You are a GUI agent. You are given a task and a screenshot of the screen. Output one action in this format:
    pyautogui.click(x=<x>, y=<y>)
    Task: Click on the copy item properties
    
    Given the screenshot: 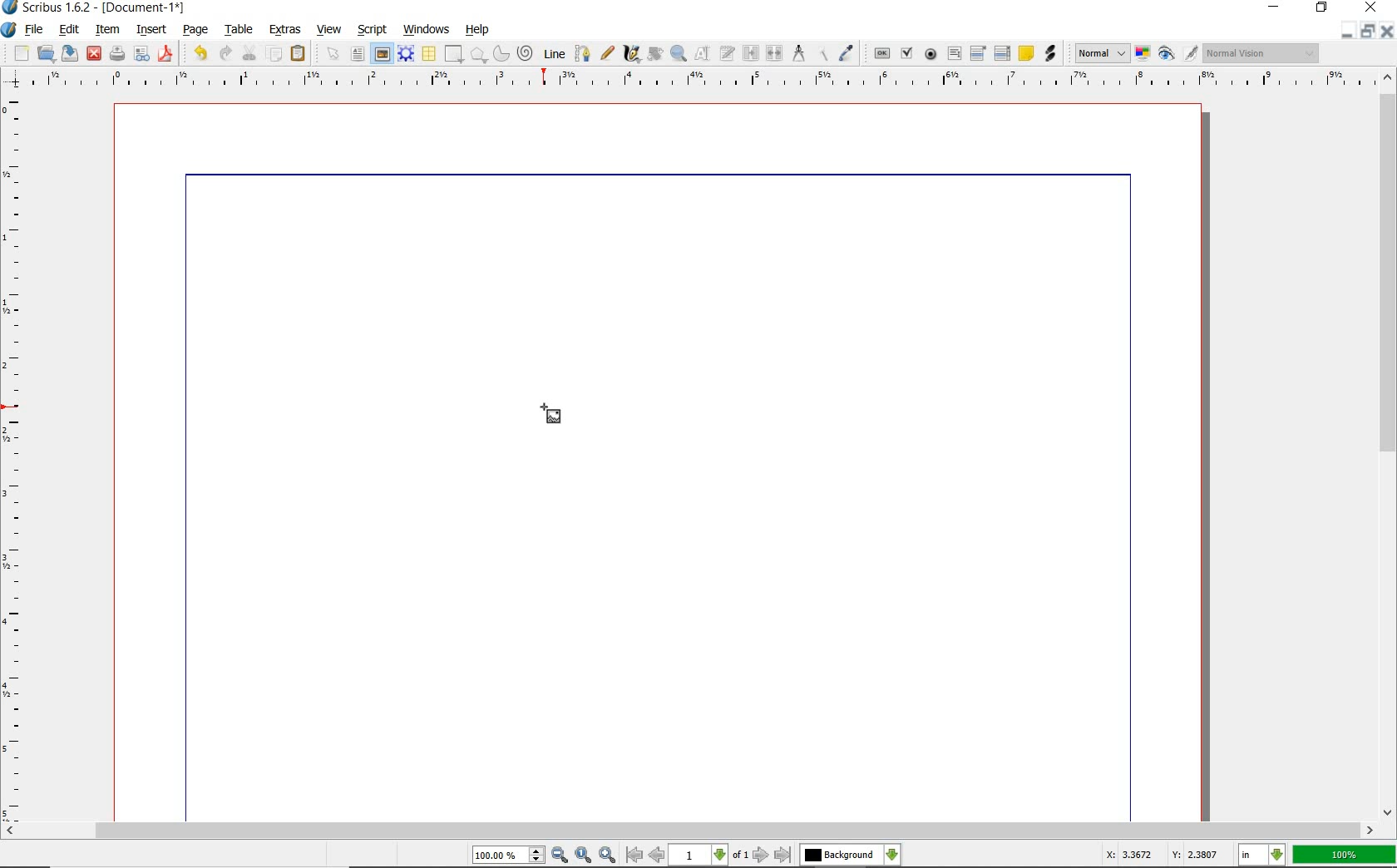 What is the action you would take?
    pyautogui.click(x=822, y=52)
    